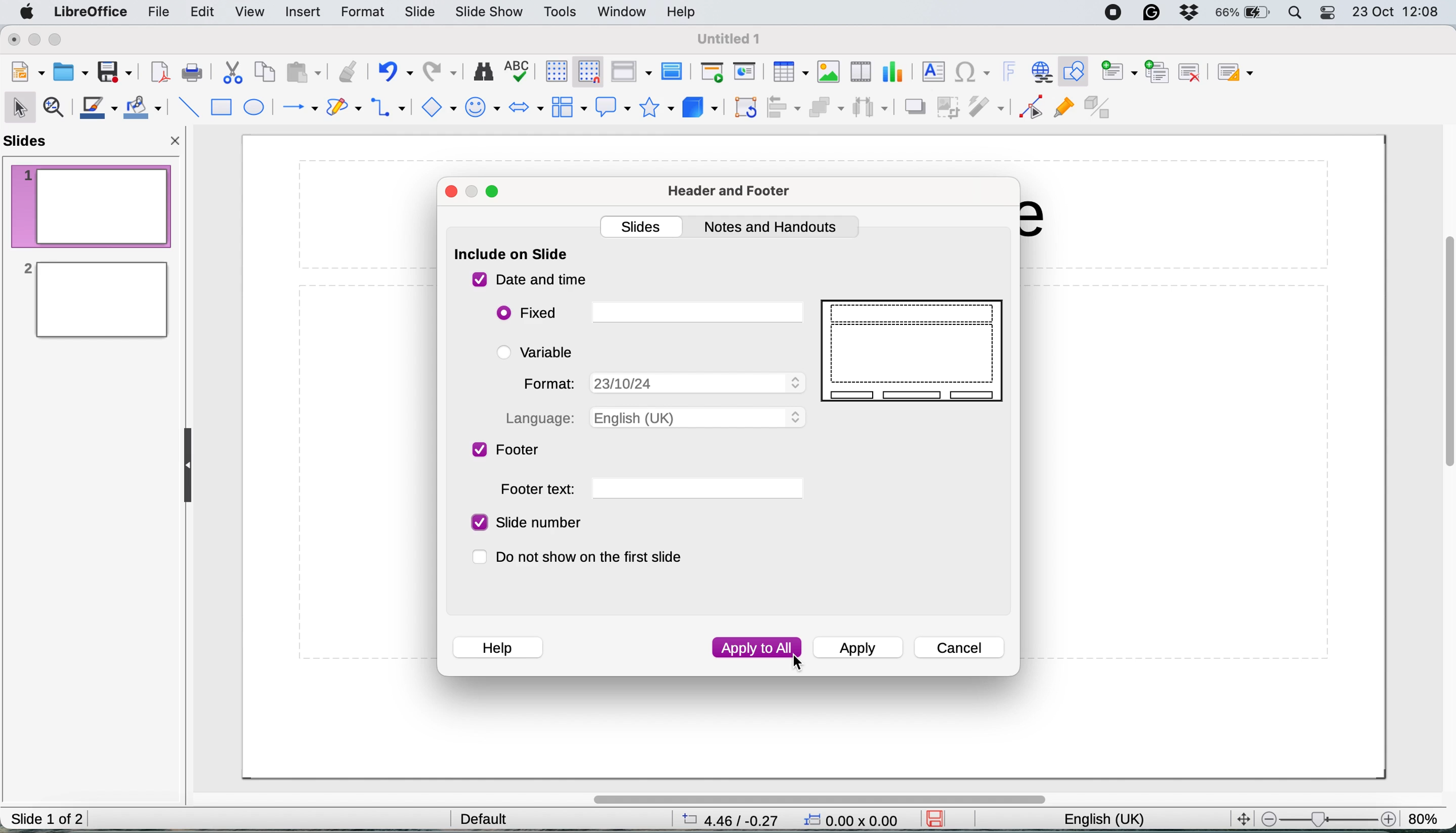 The image size is (1456, 833). What do you see at coordinates (789, 72) in the screenshot?
I see `insert table` at bounding box center [789, 72].